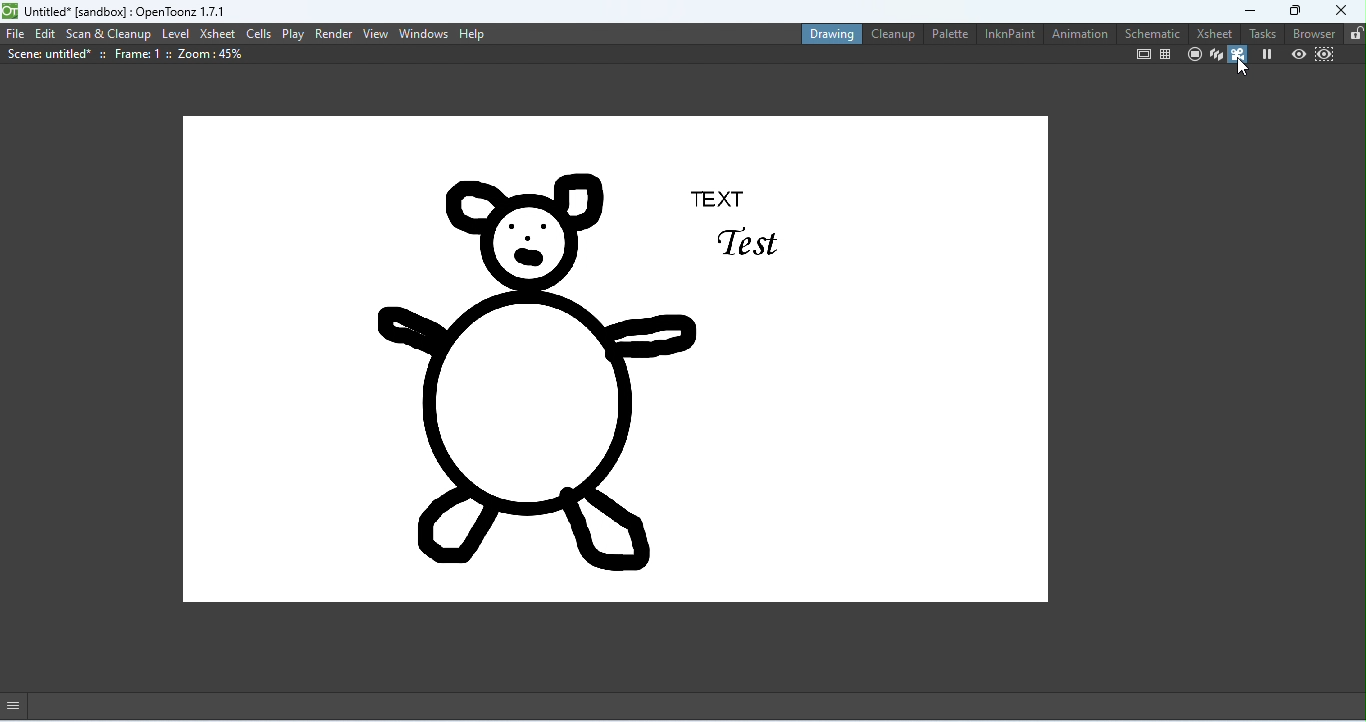 The image size is (1366, 722). What do you see at coordinates (334, 33) in the screenshot?
I see `render` at bounding box center [334, 33].